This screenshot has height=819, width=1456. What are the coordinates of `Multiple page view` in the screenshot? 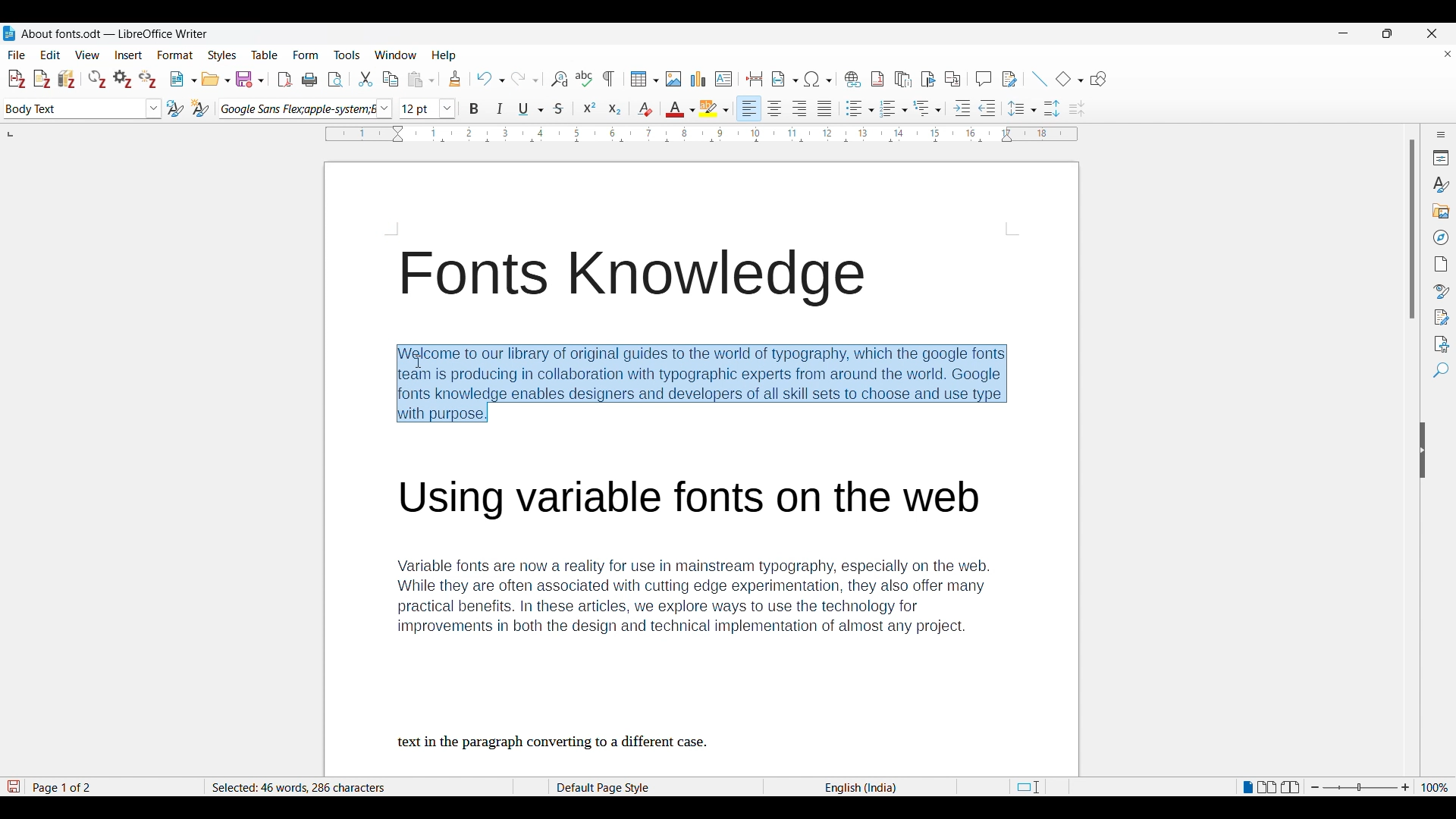 It's located at (1267, 787).